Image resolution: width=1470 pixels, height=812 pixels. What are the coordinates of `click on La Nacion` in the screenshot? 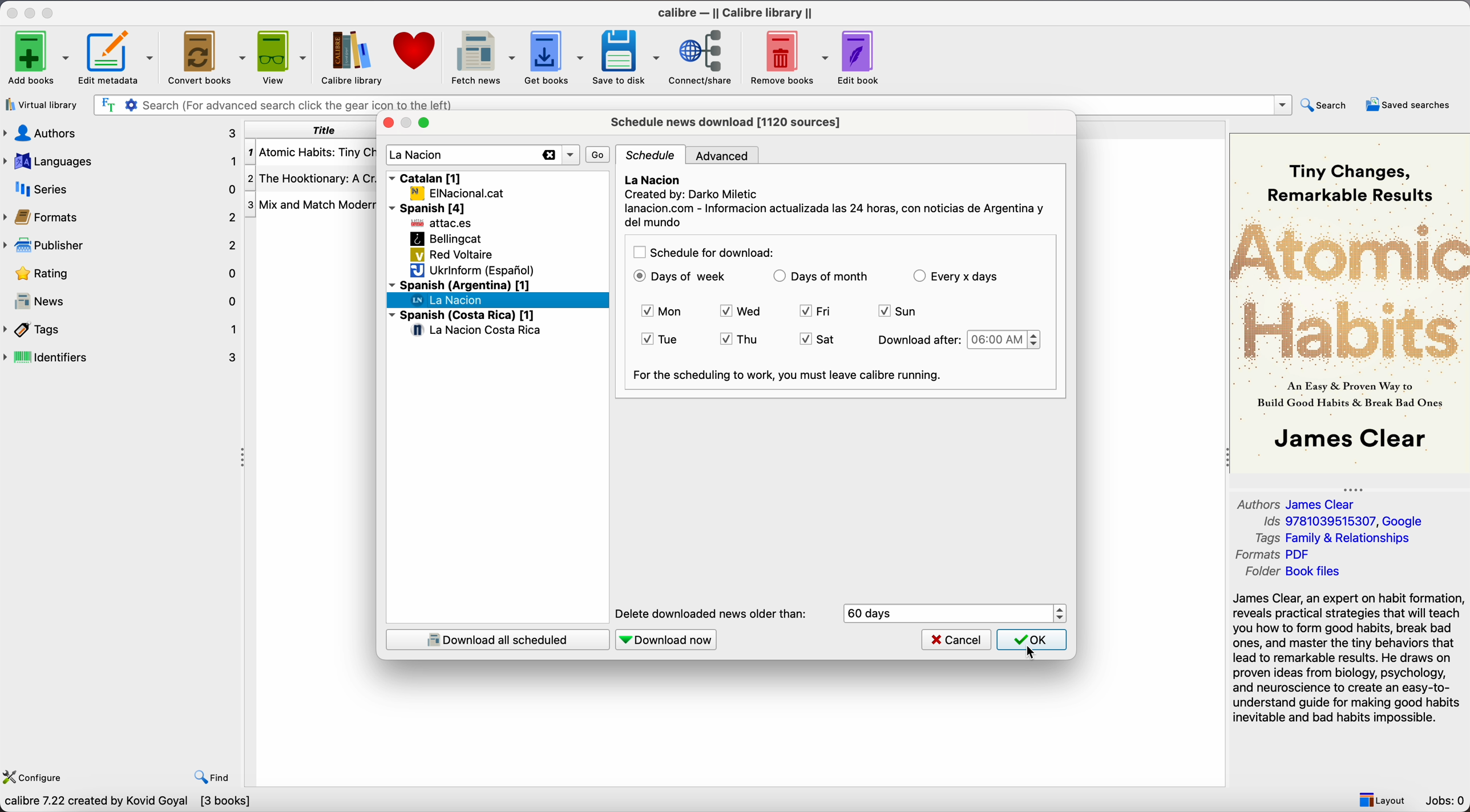 It's located at (449, 300).